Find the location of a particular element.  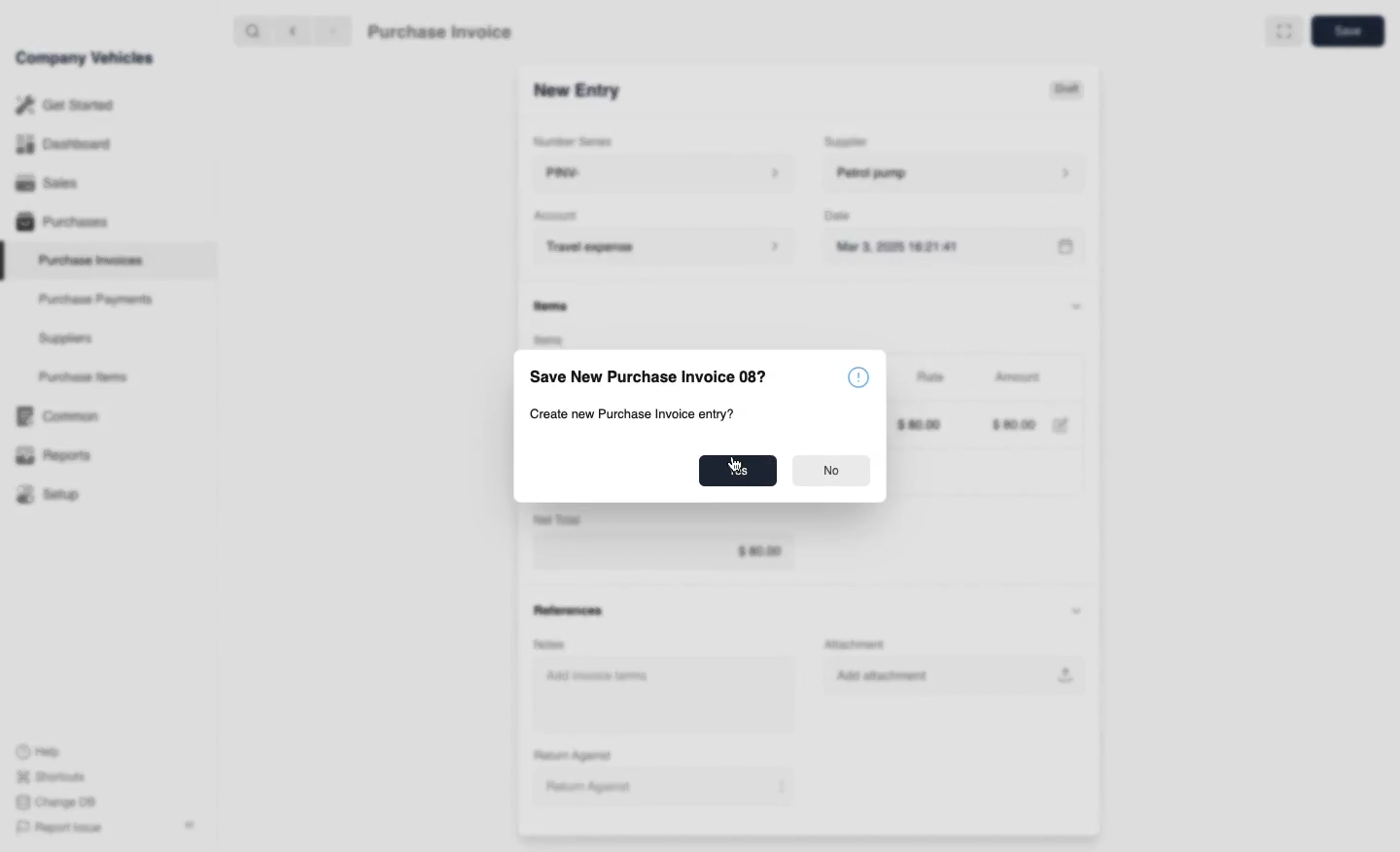

cursor is located at coordinates (734, 468).